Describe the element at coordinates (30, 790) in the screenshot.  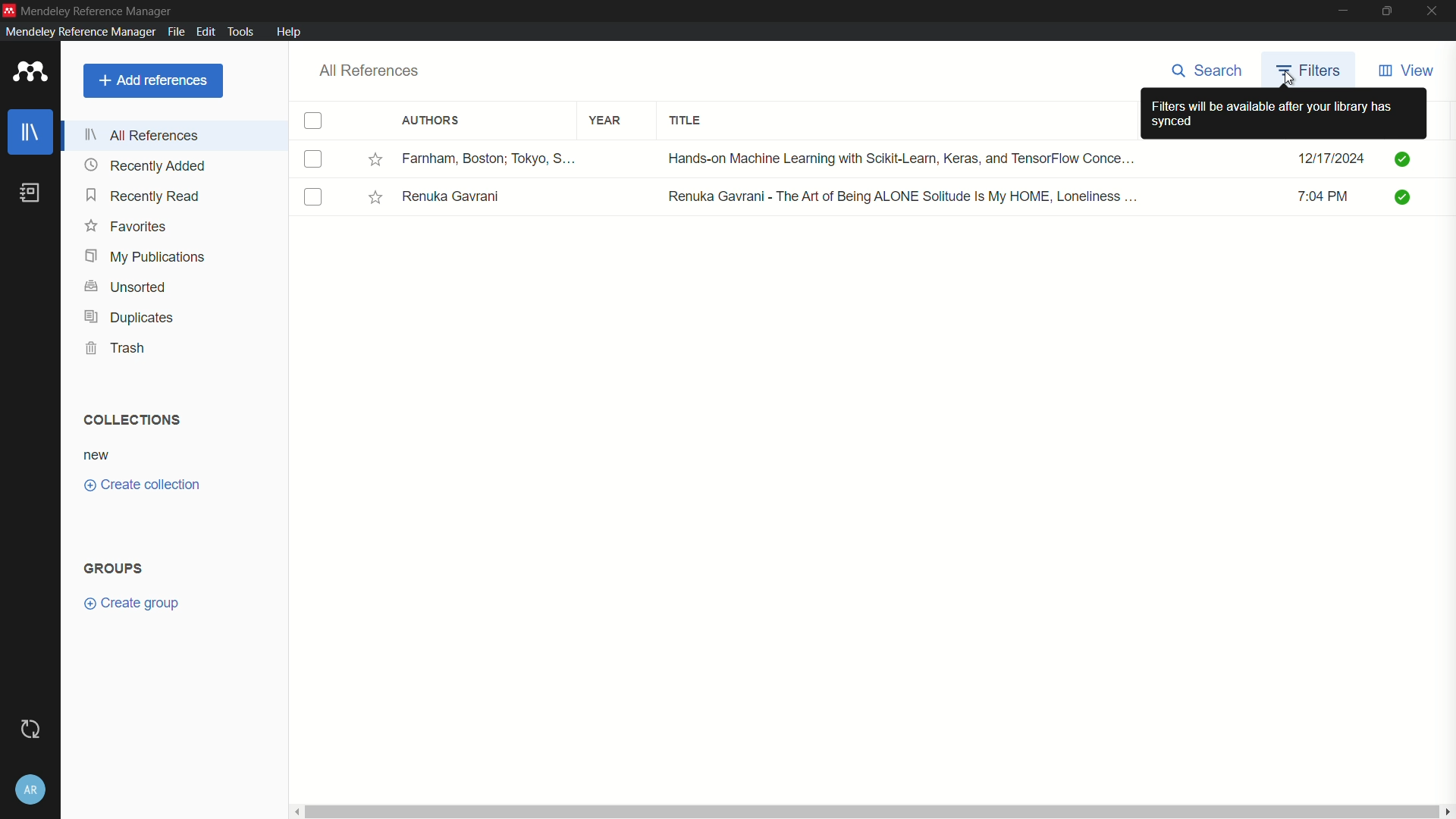
I see `account and help` at that location.